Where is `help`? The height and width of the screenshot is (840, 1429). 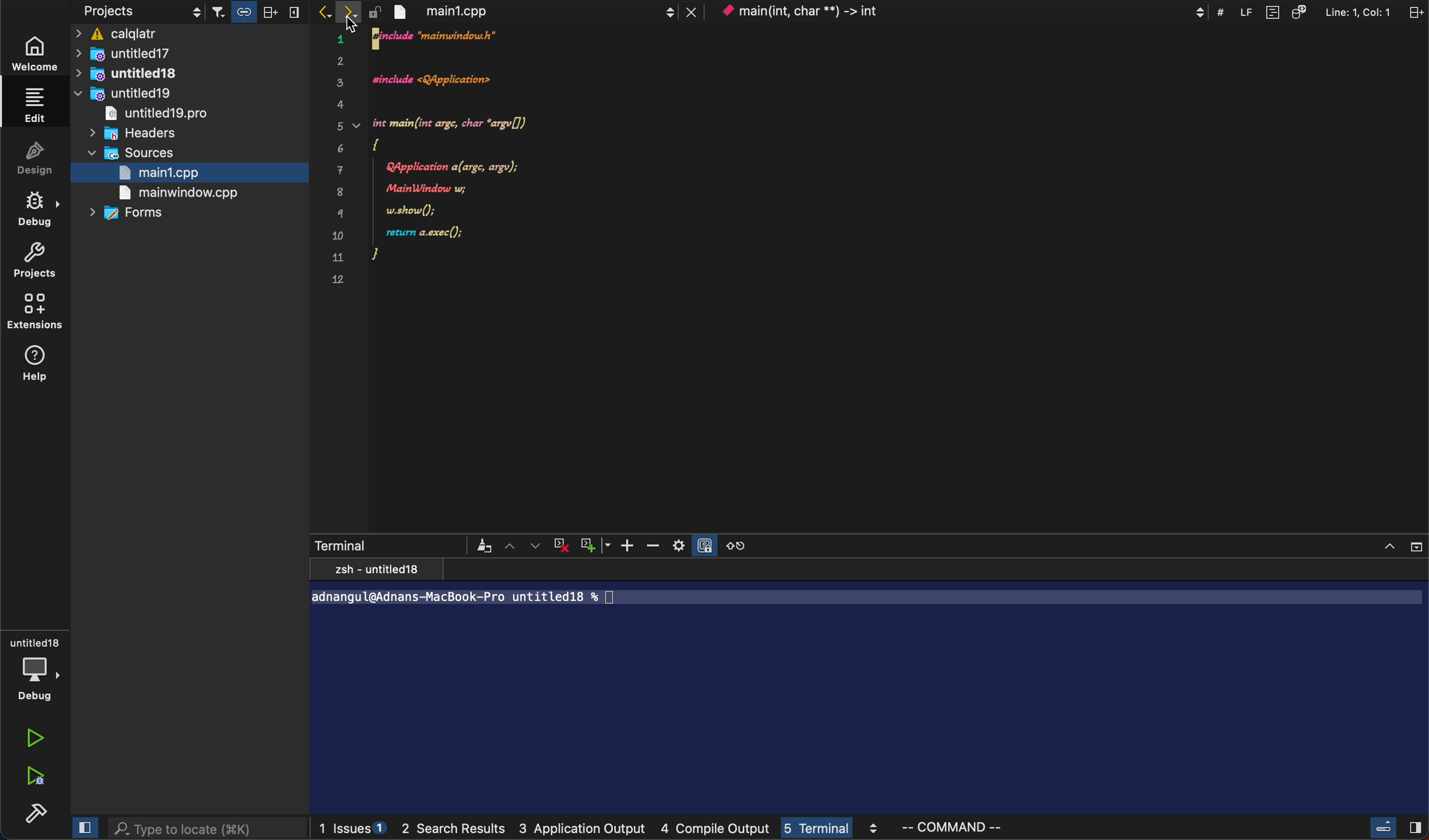
help is located at coordinates (36, 366).